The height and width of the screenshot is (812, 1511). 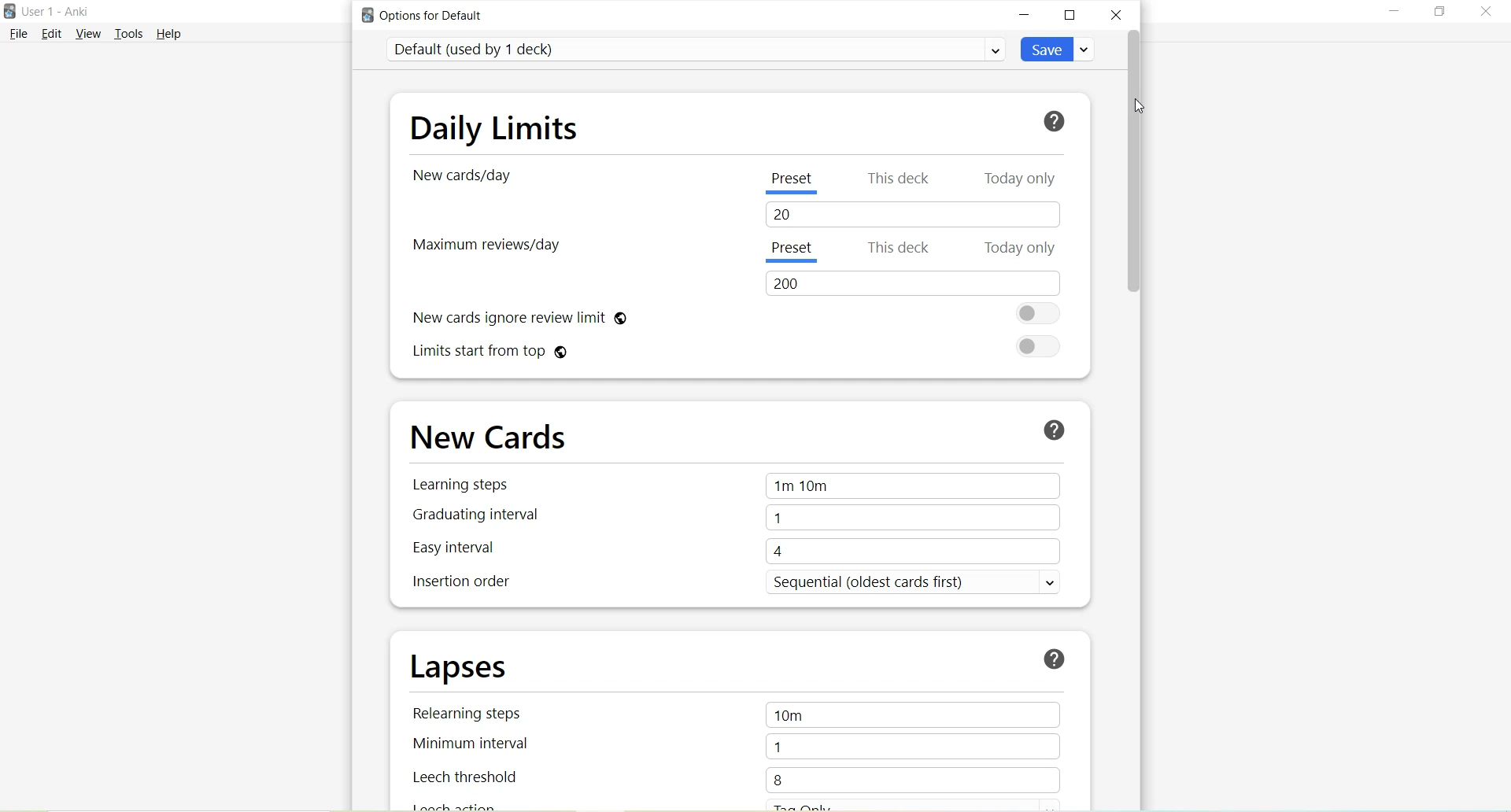 What do you see at coordinates (466, 178) in the screenshot?
I see `New cards/day` at bounding box center [466, 178].